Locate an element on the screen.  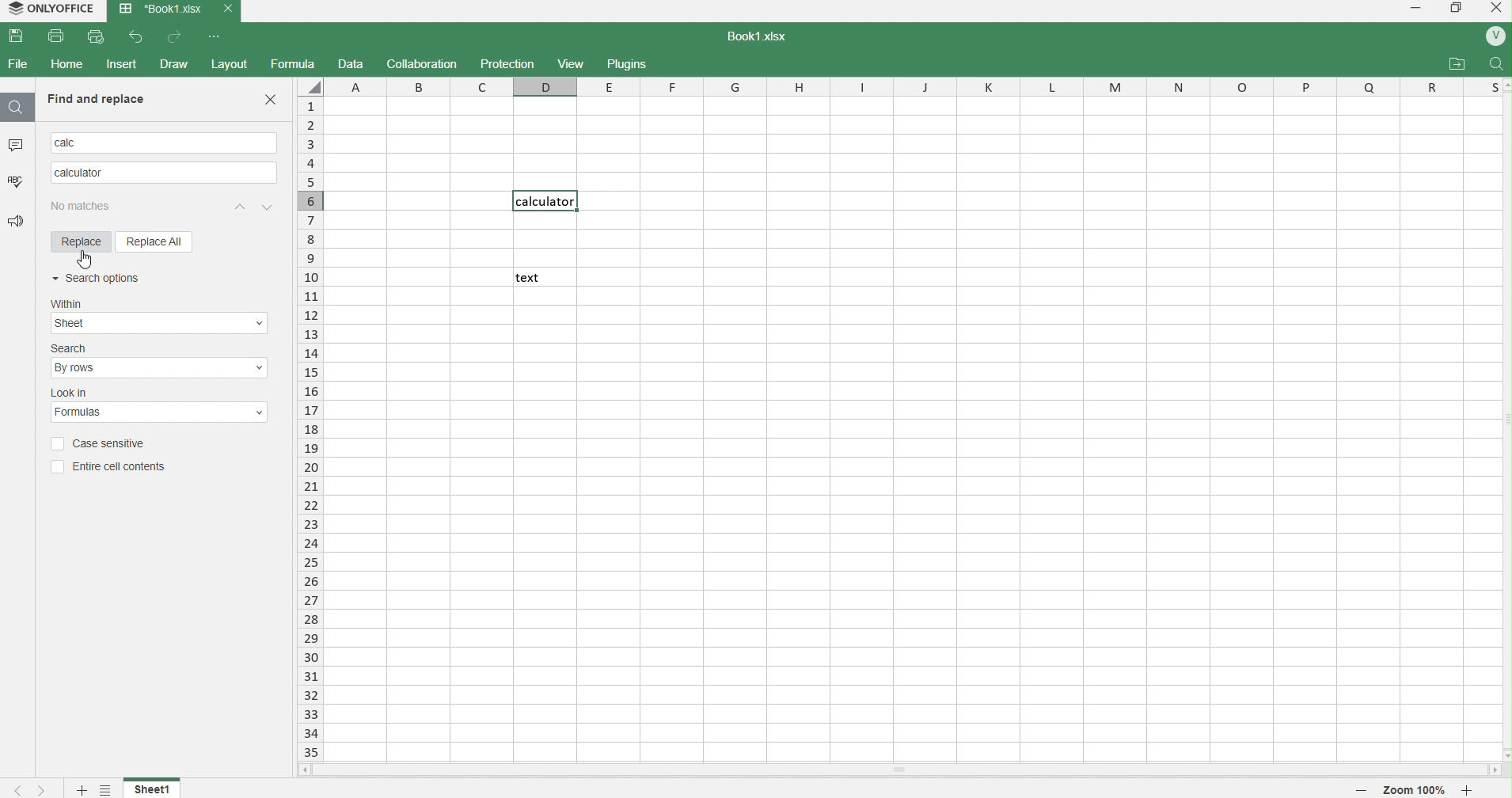
windows is located at coordinates (1455, 9).